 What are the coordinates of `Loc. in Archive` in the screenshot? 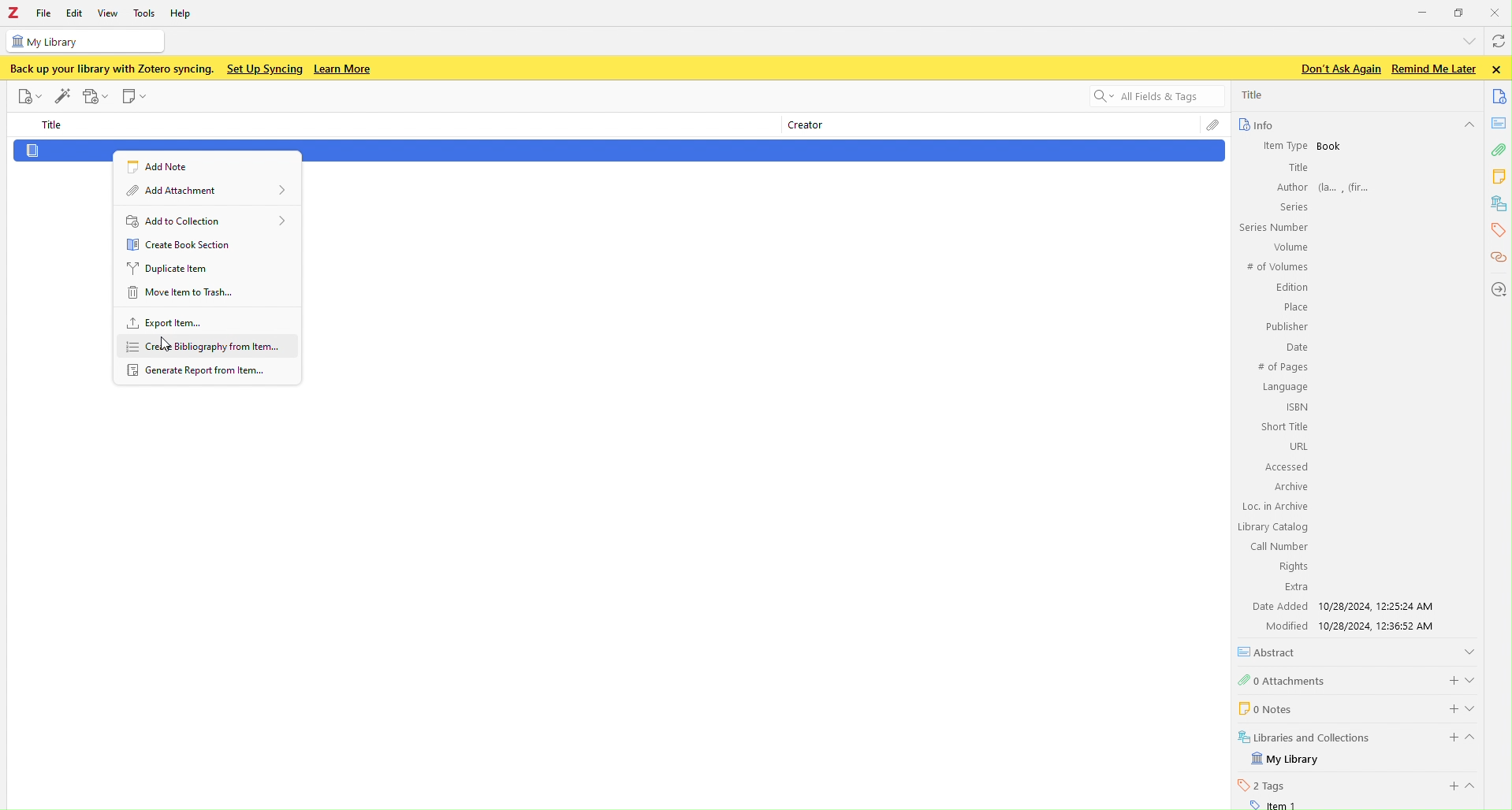 It's located at (1276, 507).